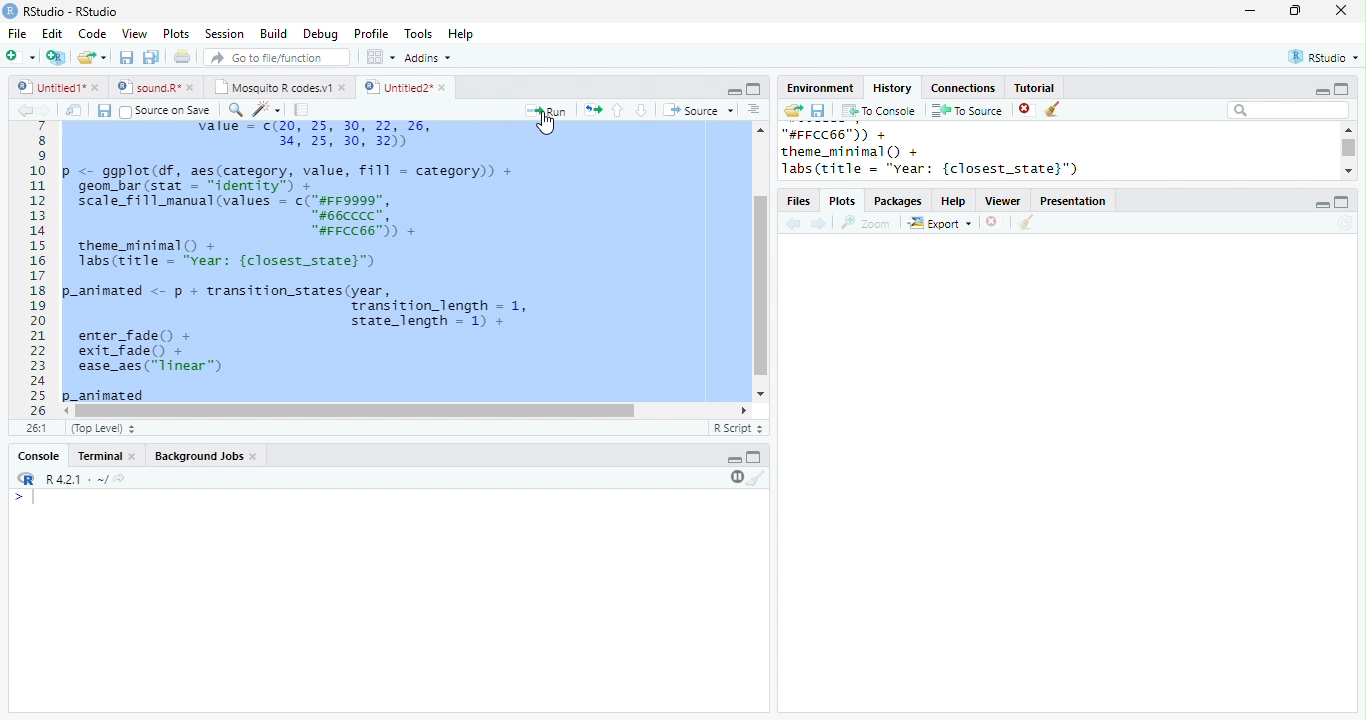  I want to click on maximize, so click(1342, 88).